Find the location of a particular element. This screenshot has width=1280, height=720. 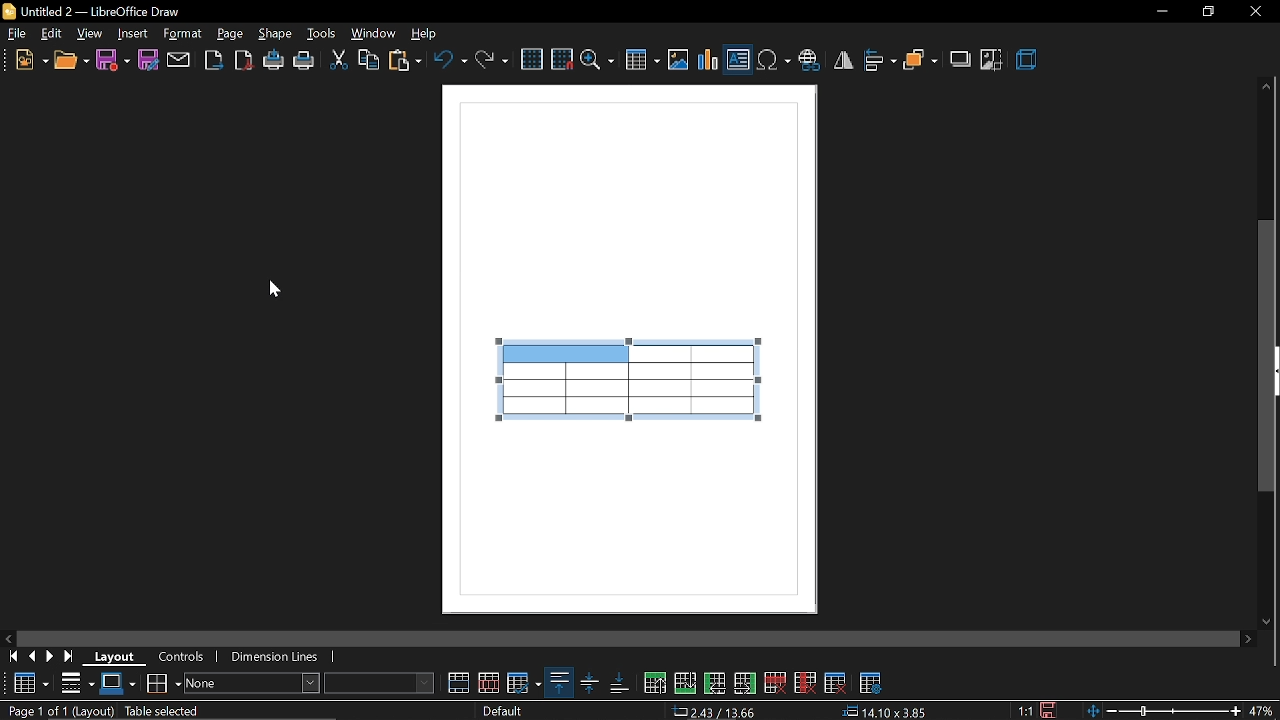

zoom change is located at coordinates (1162, 712).